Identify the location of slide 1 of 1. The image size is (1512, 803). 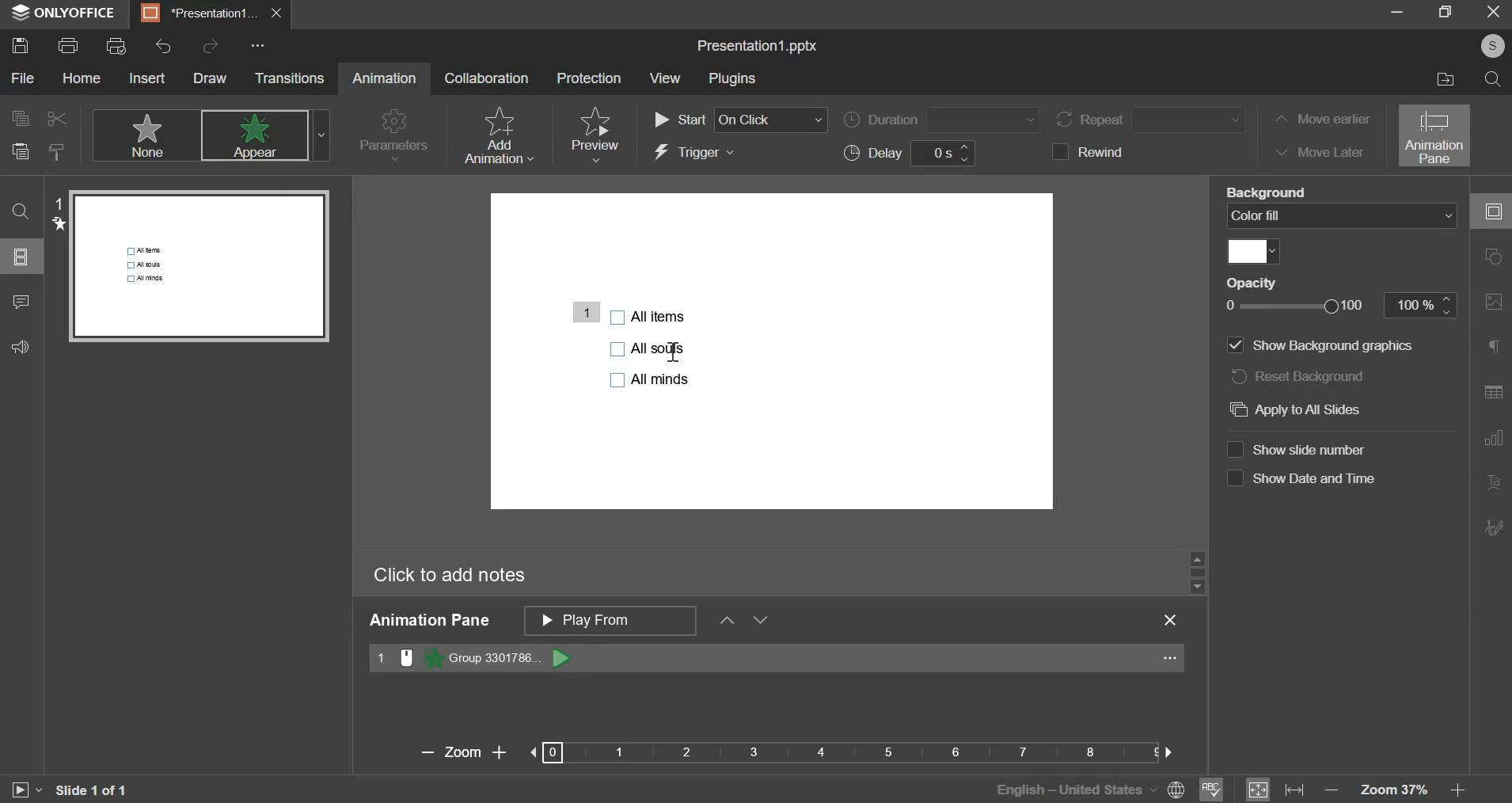
(90, 790).